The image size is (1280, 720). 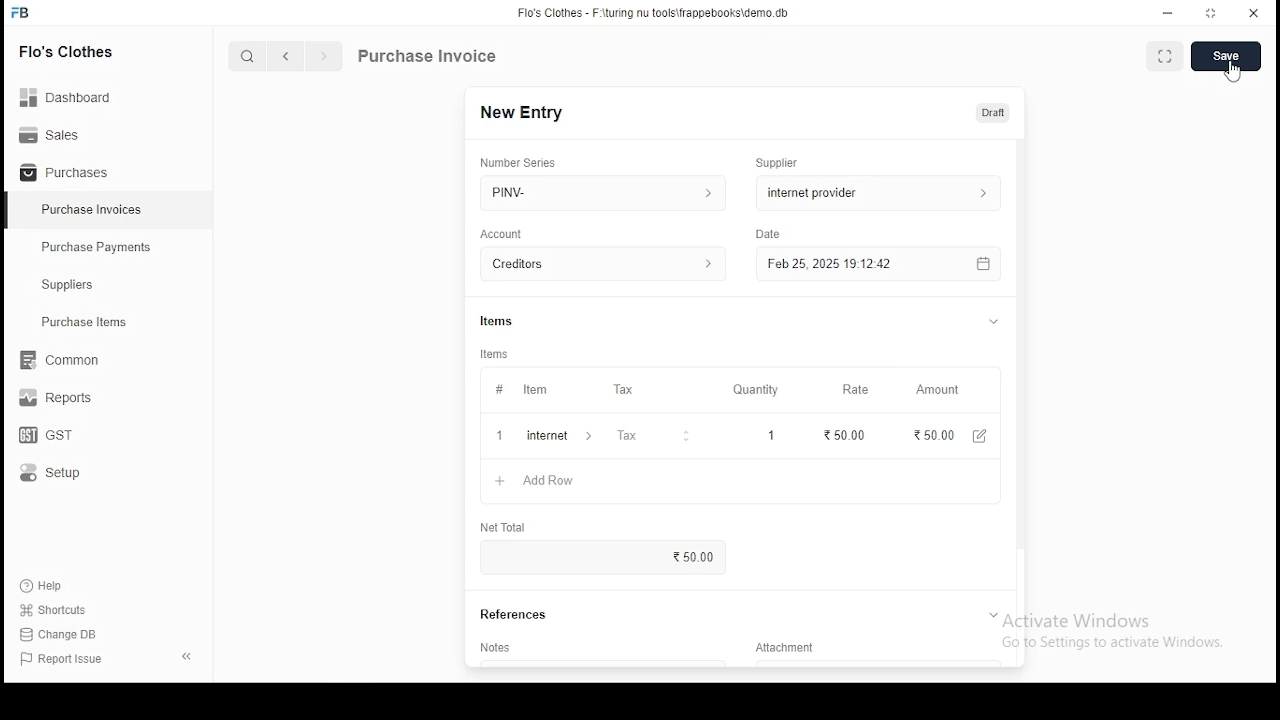 What do you see at coordinates (58, 400) in the screenshot?
I see `reports` at bounding box center [58, 400].